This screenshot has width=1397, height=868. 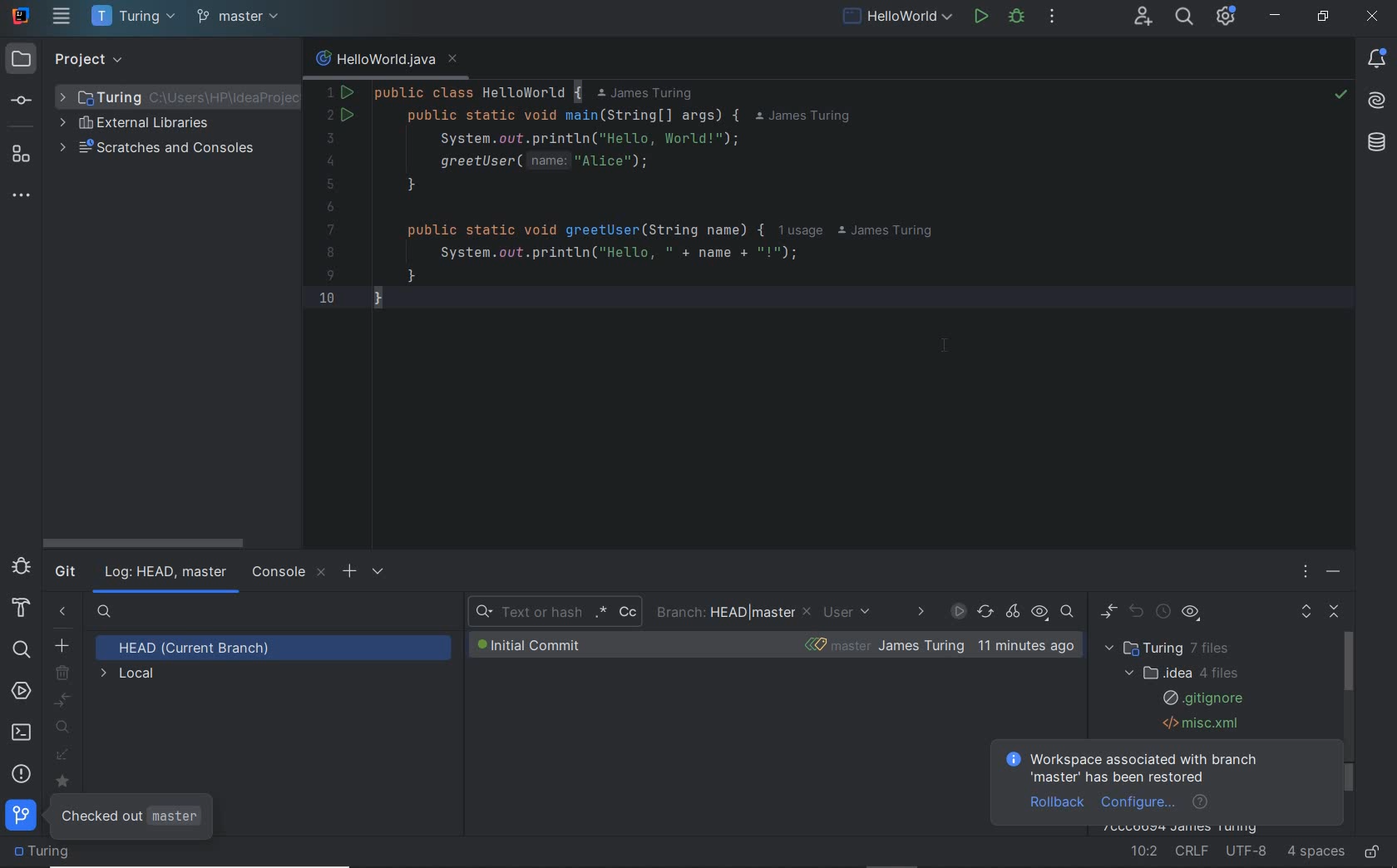 What do you see at coordinates (1336, 61) in the screenshot?
I see `recent files, tab options` at bounding box center [1336, 61].